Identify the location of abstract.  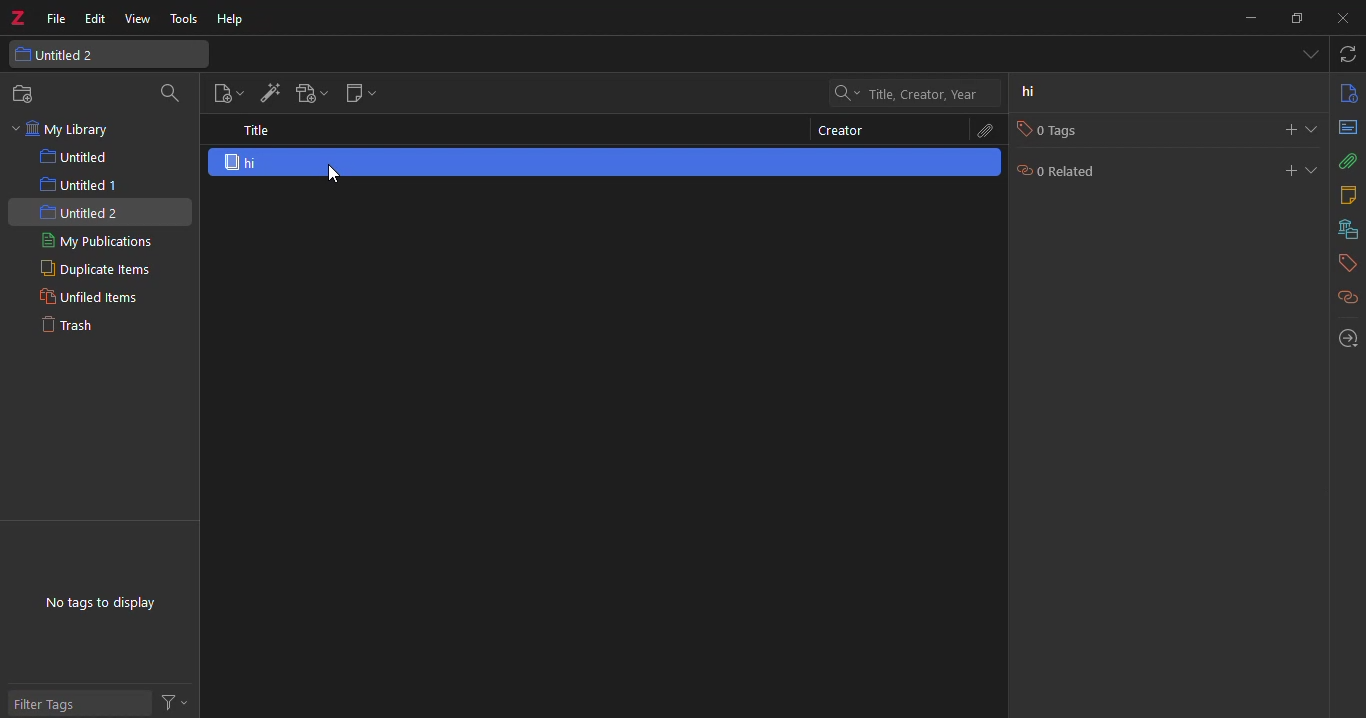
(1346, 127).